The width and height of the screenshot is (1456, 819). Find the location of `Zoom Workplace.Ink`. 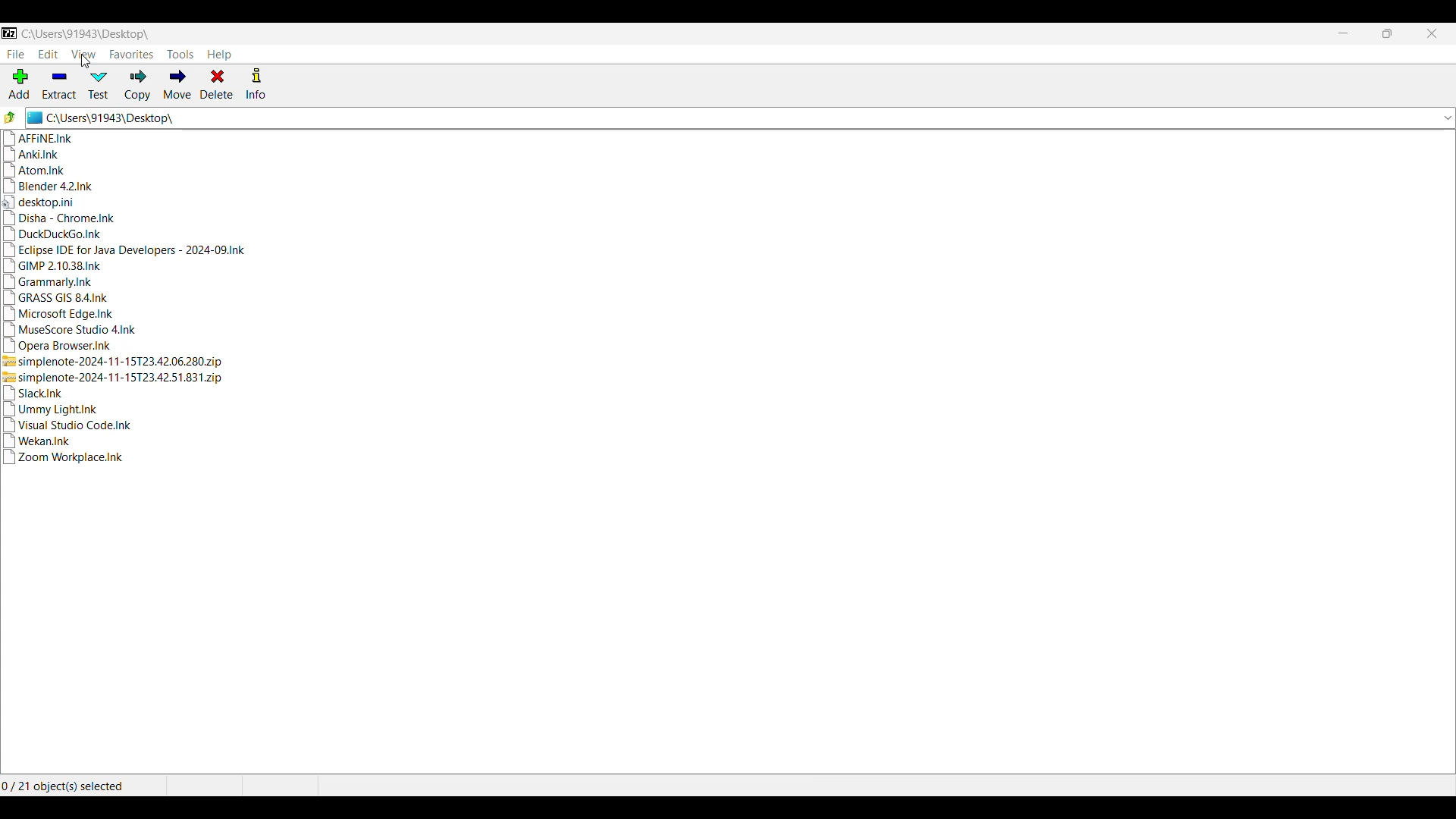

Zoom Workplace.Ink is located at coordinates (67, 460).